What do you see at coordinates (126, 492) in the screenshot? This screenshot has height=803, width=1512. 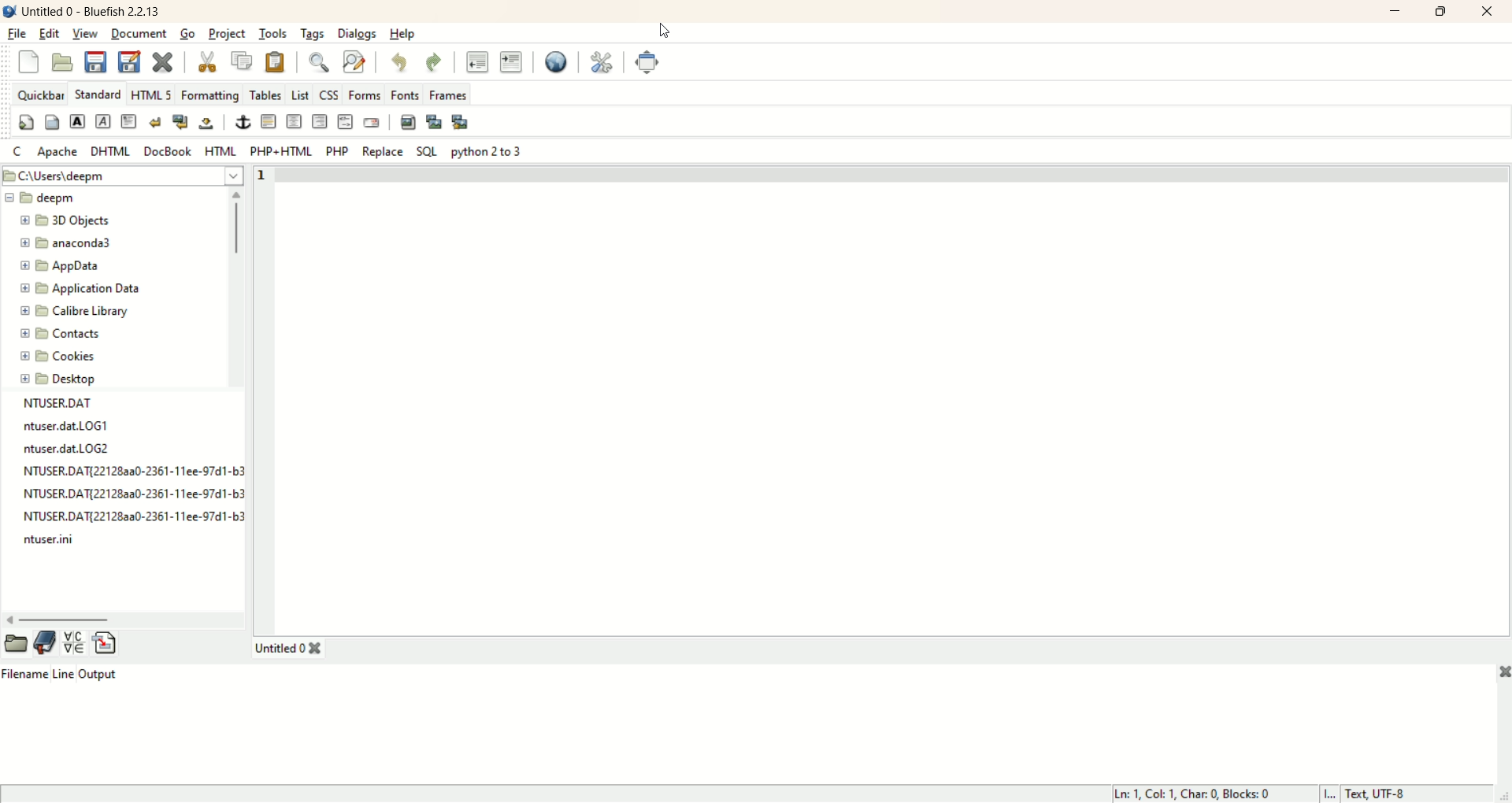 I see `text` at bounding box center [126, 492].